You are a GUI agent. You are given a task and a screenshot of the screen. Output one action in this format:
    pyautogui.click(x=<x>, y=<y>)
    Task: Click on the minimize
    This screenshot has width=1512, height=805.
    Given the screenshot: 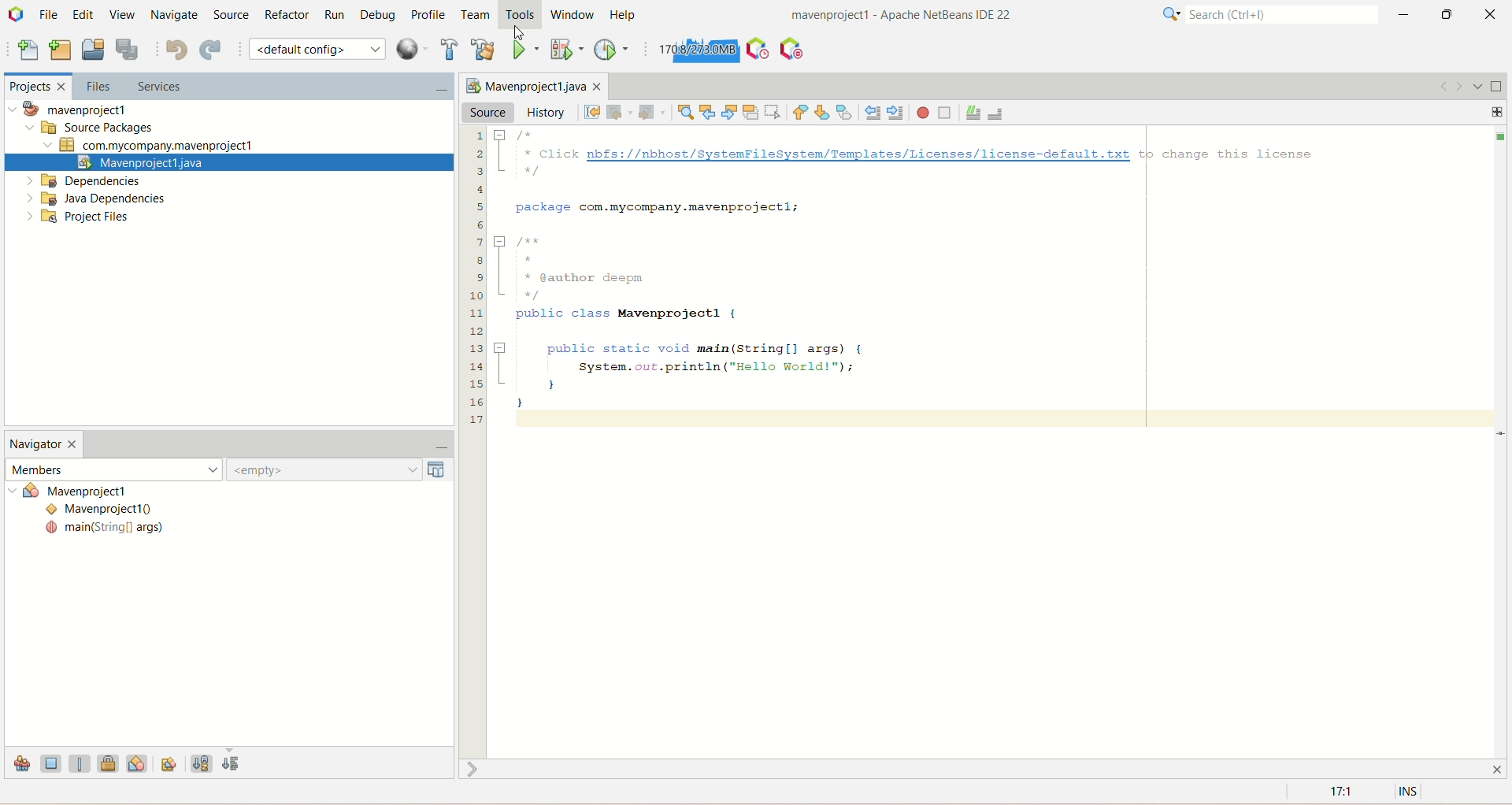 What is the action you would take?
    pyautogui.click(x=1404, y=14)
    